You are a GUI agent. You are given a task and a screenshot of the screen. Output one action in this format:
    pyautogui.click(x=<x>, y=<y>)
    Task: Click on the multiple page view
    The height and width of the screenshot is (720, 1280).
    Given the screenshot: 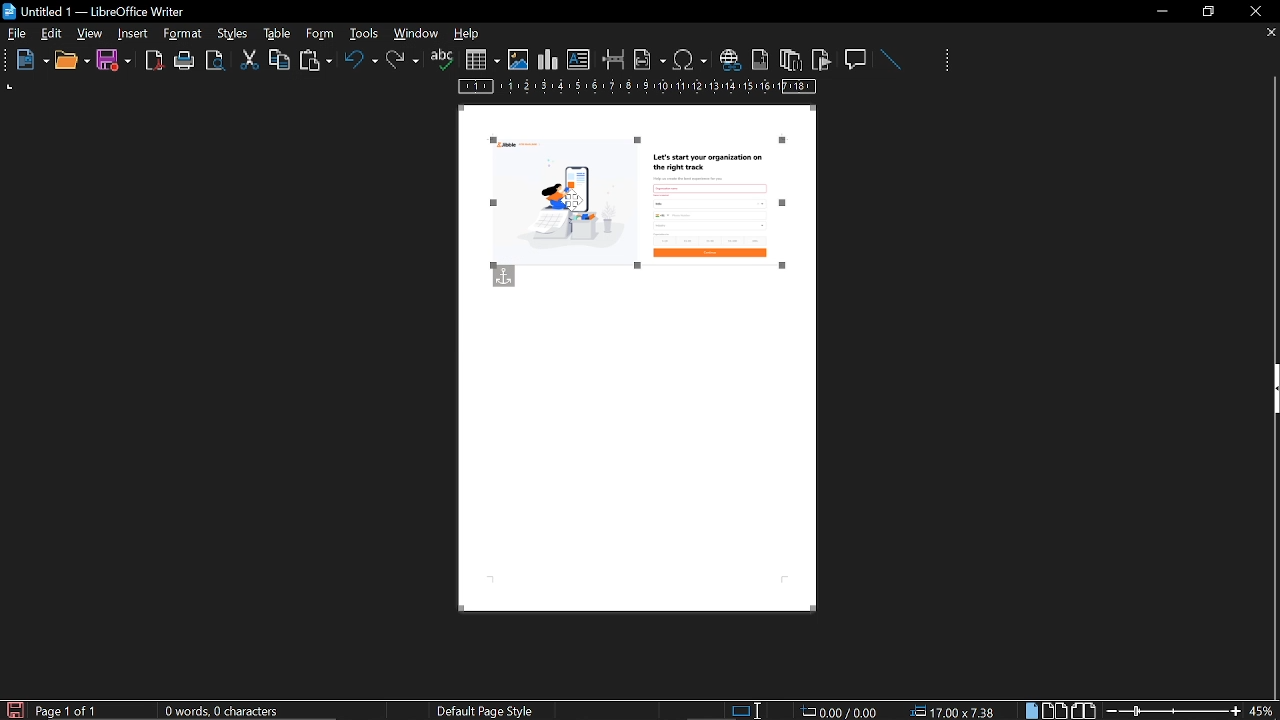 What is the action you would take?
    pyautogui.click(x=1055, y=711)
    